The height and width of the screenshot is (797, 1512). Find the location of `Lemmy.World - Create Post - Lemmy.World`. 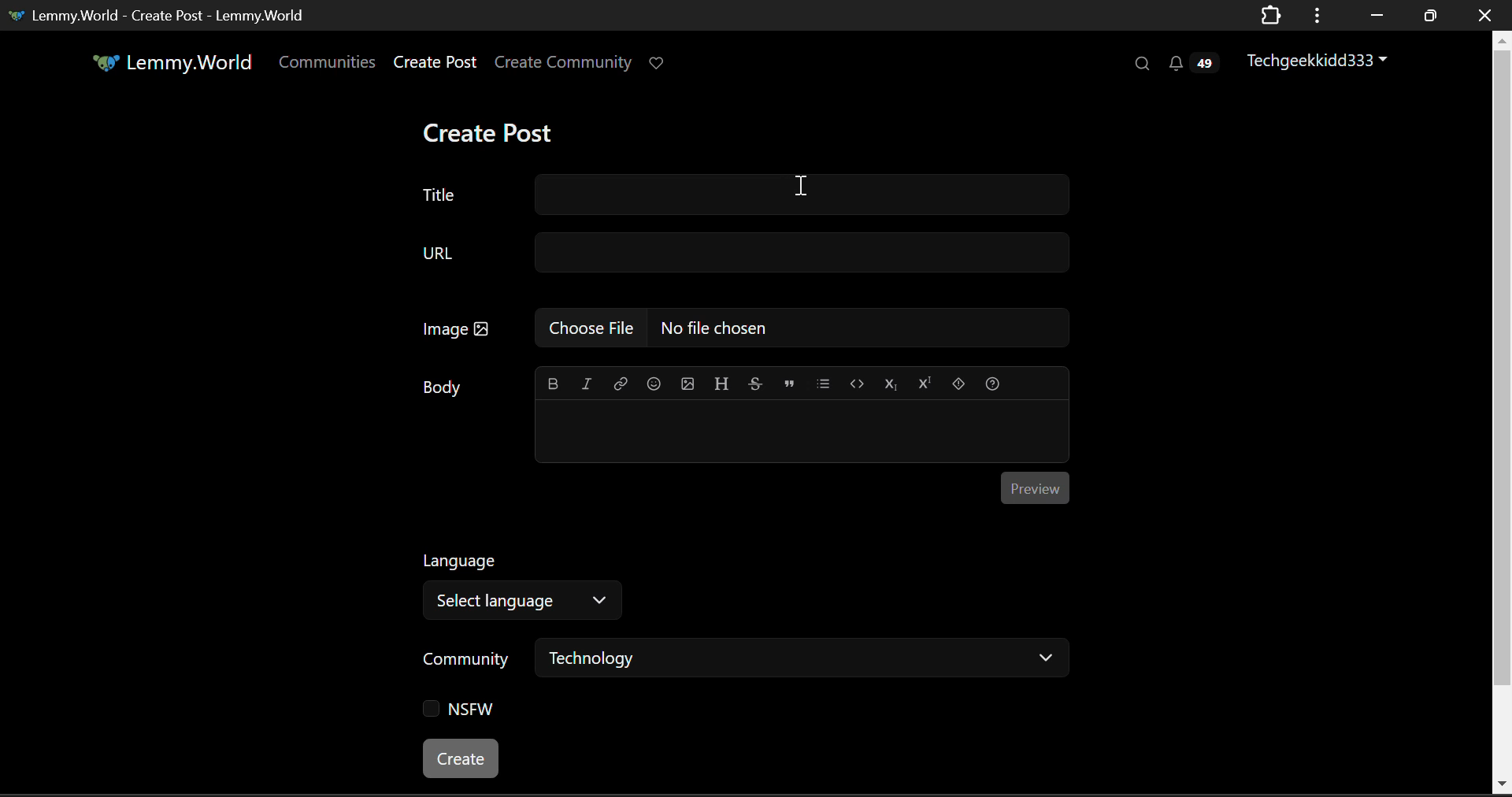

Lemmy.World - Create Post - Lemmy.World is located at coordinates (160, 17).